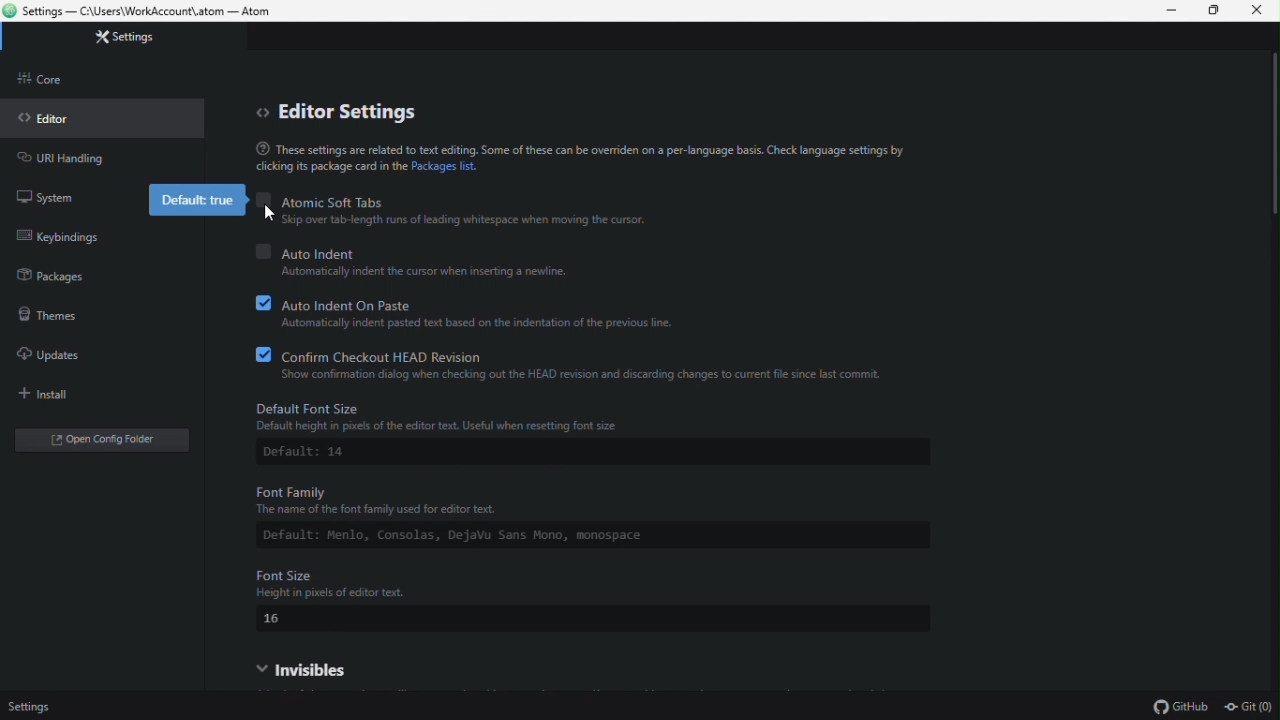 This screenshot has width=1280, height=720. Describe the element at coordinates (272, 213) in the screenshot. I see `cursor` at that location.